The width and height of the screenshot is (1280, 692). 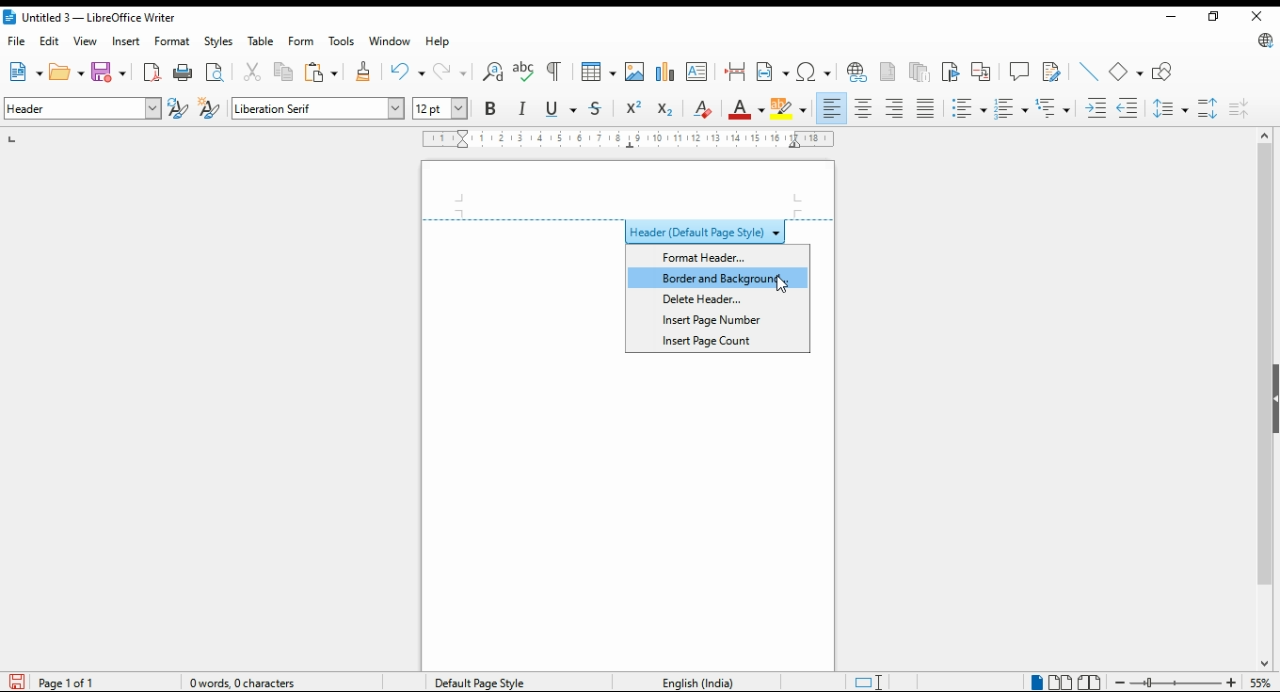 I want to click on dit, so click(x=51, y=41).